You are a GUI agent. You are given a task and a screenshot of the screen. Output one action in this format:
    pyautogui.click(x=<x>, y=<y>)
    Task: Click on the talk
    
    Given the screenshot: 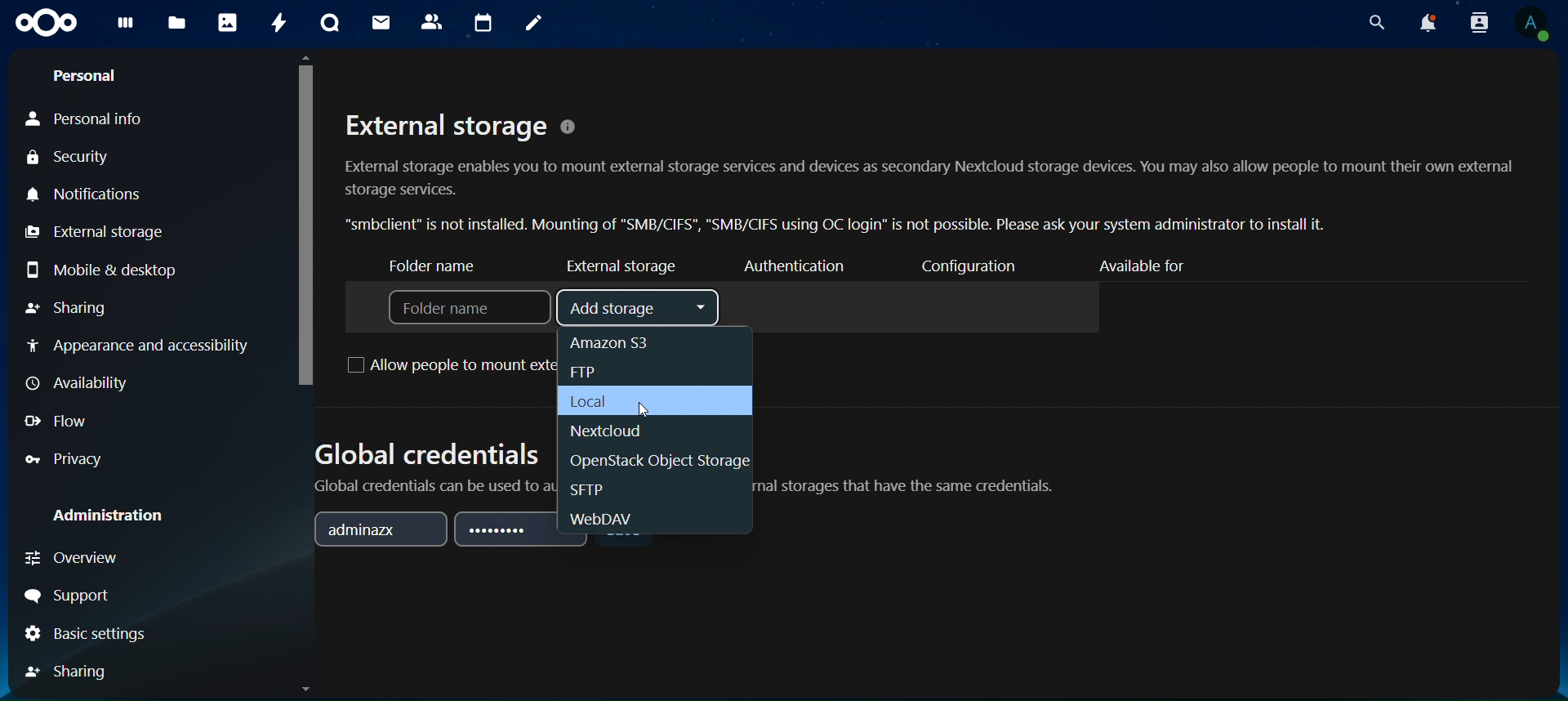 What is the action you would take?
    pyautogui.click(x=332, y=23)
    